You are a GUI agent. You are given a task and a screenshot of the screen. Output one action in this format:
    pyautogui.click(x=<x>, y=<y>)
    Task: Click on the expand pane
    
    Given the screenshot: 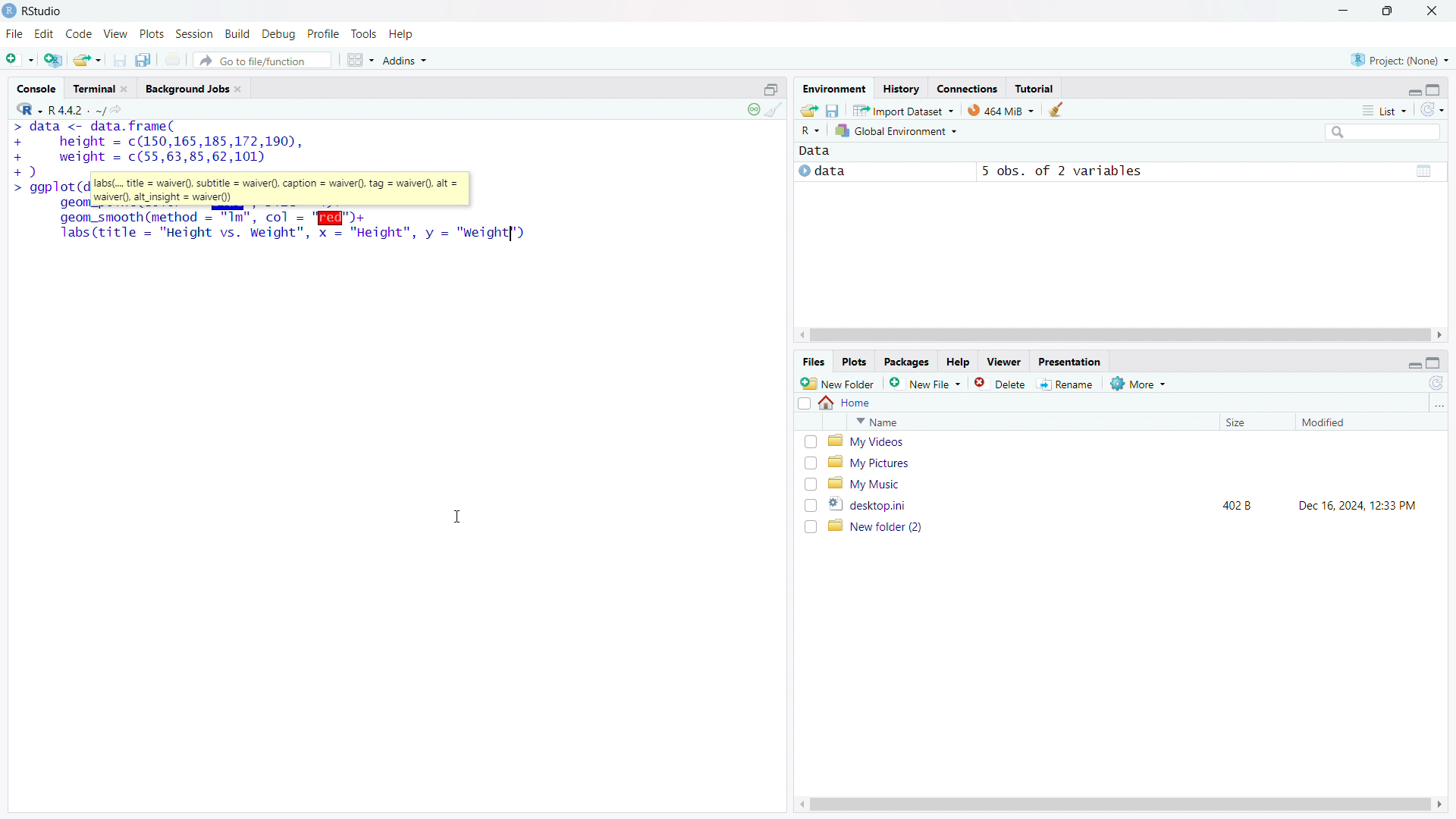 What is the action you would take?
    pyautogui.click(x=1436, y=88)
    